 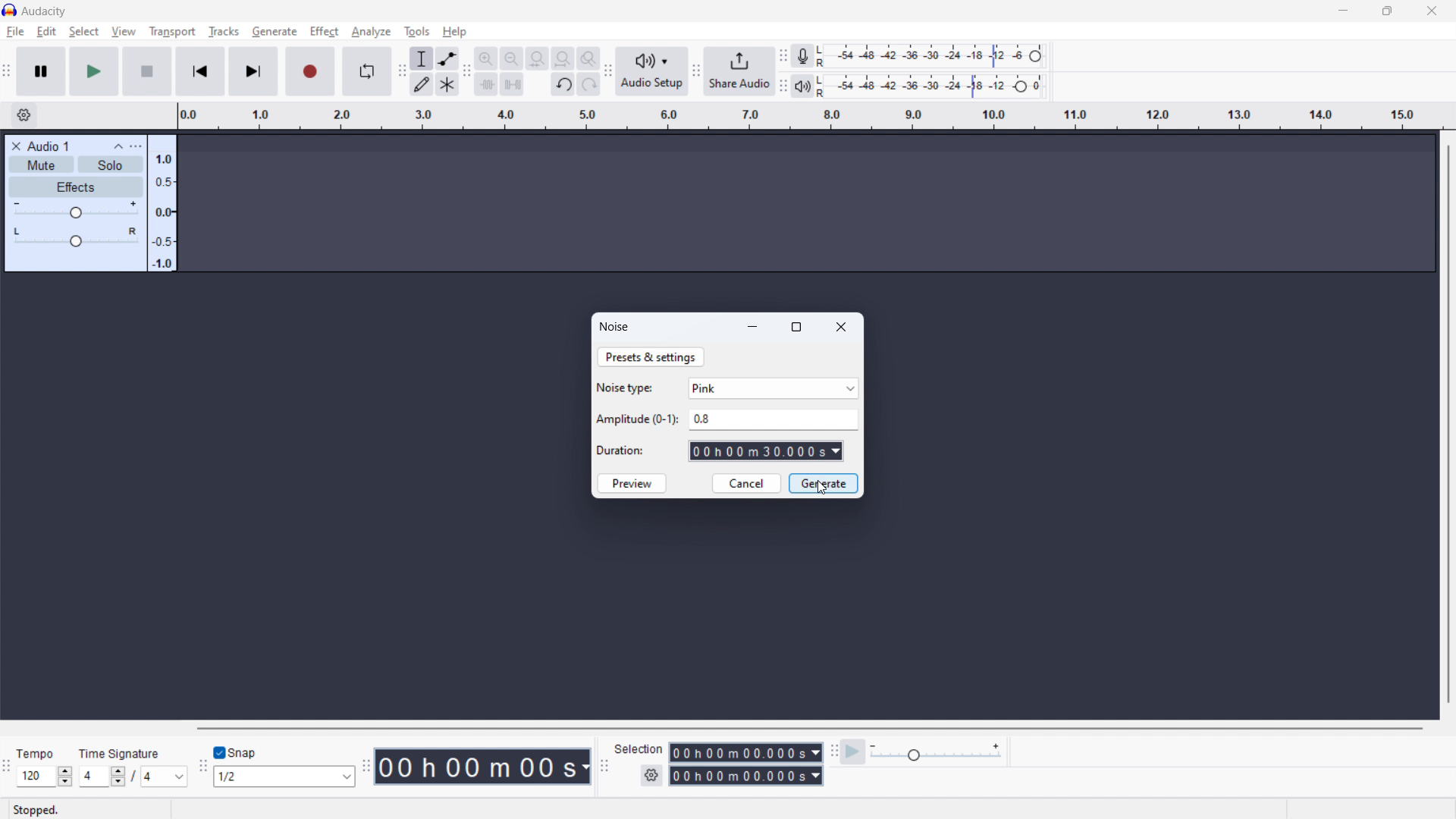 What do you see at coordinates (511, 58) in the screenshot?
I see `zoom out` at bounding box center [511, 58].